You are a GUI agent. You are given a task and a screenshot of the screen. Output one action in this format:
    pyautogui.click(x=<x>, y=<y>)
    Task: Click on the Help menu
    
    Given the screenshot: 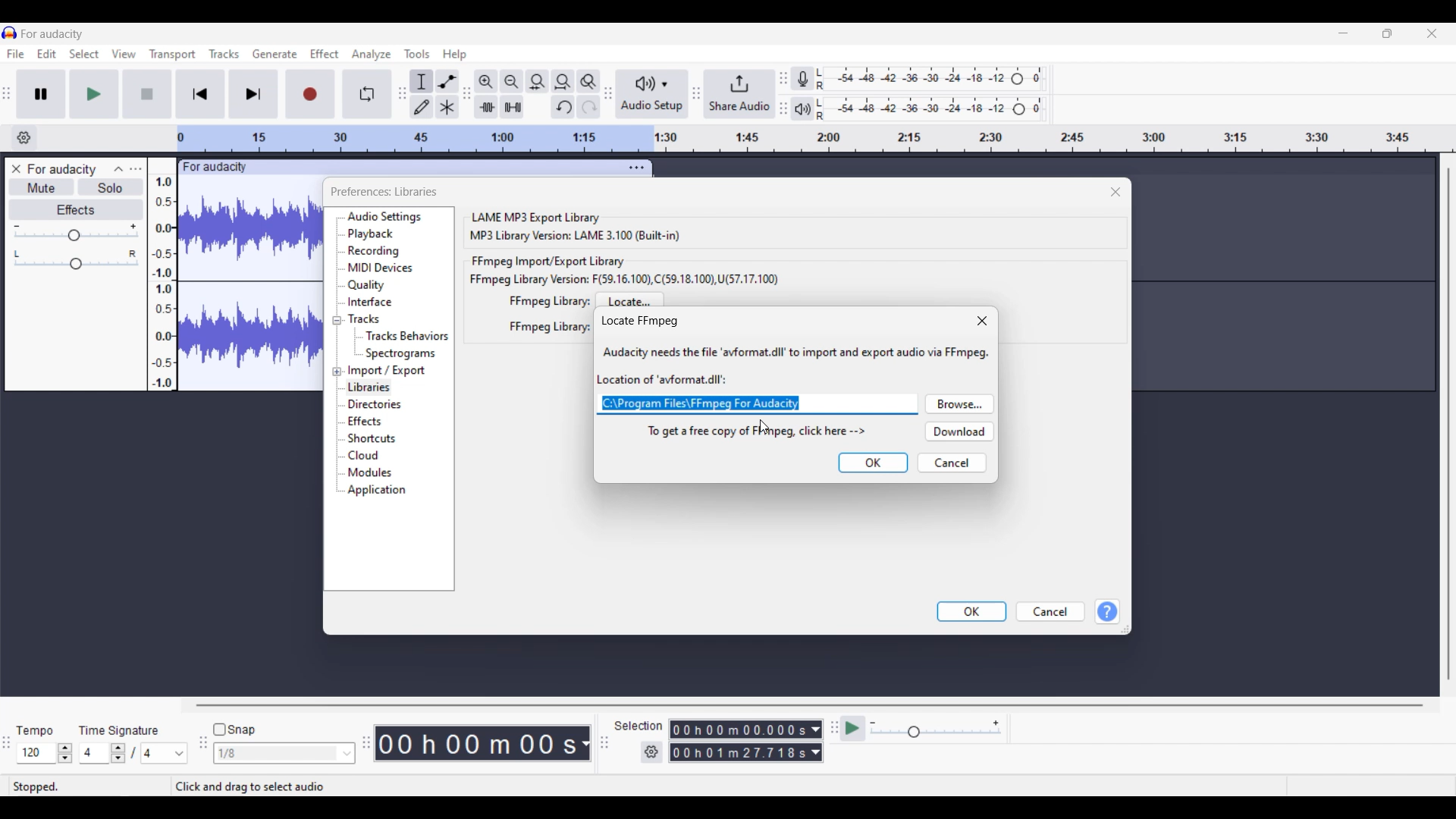 What is the action you would take?
    pyautogui.click(x=455, y=55)
    